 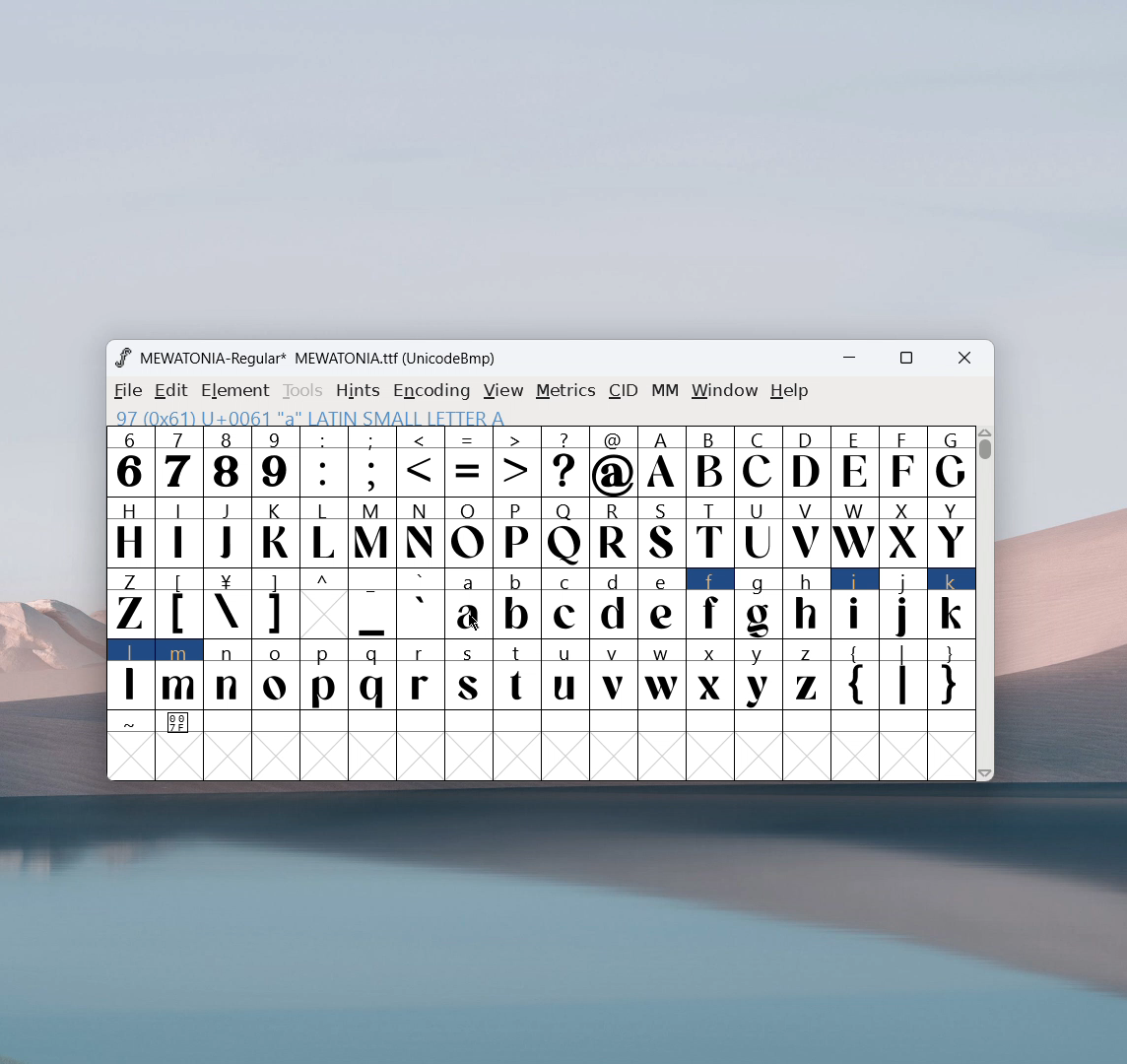 What do you see at coordinates (613, 534) in the screenshot?
I see `R` at bounding box center [613, 534].